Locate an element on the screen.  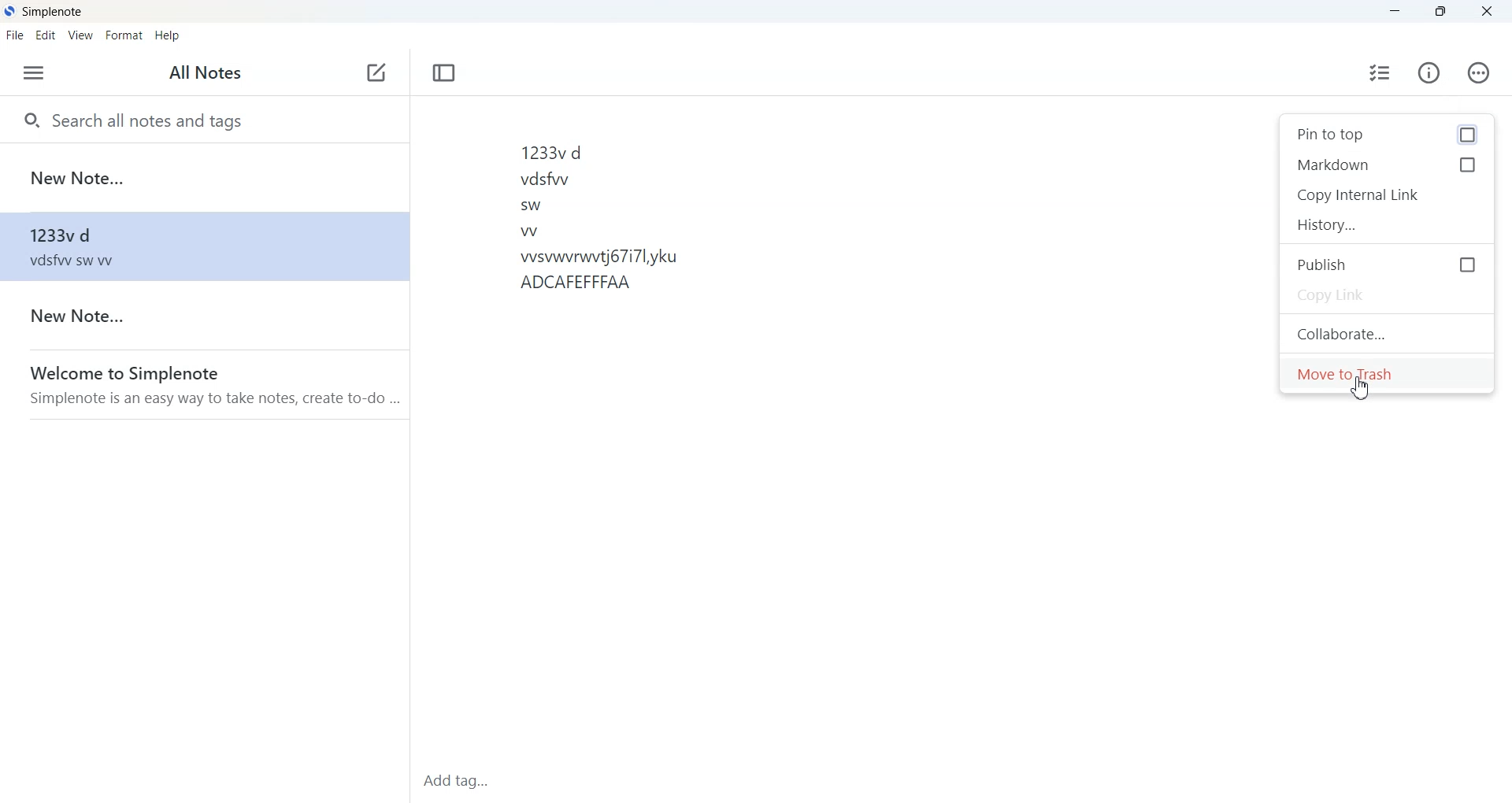
Toggle focus mode is located at coordinates (444, 72).